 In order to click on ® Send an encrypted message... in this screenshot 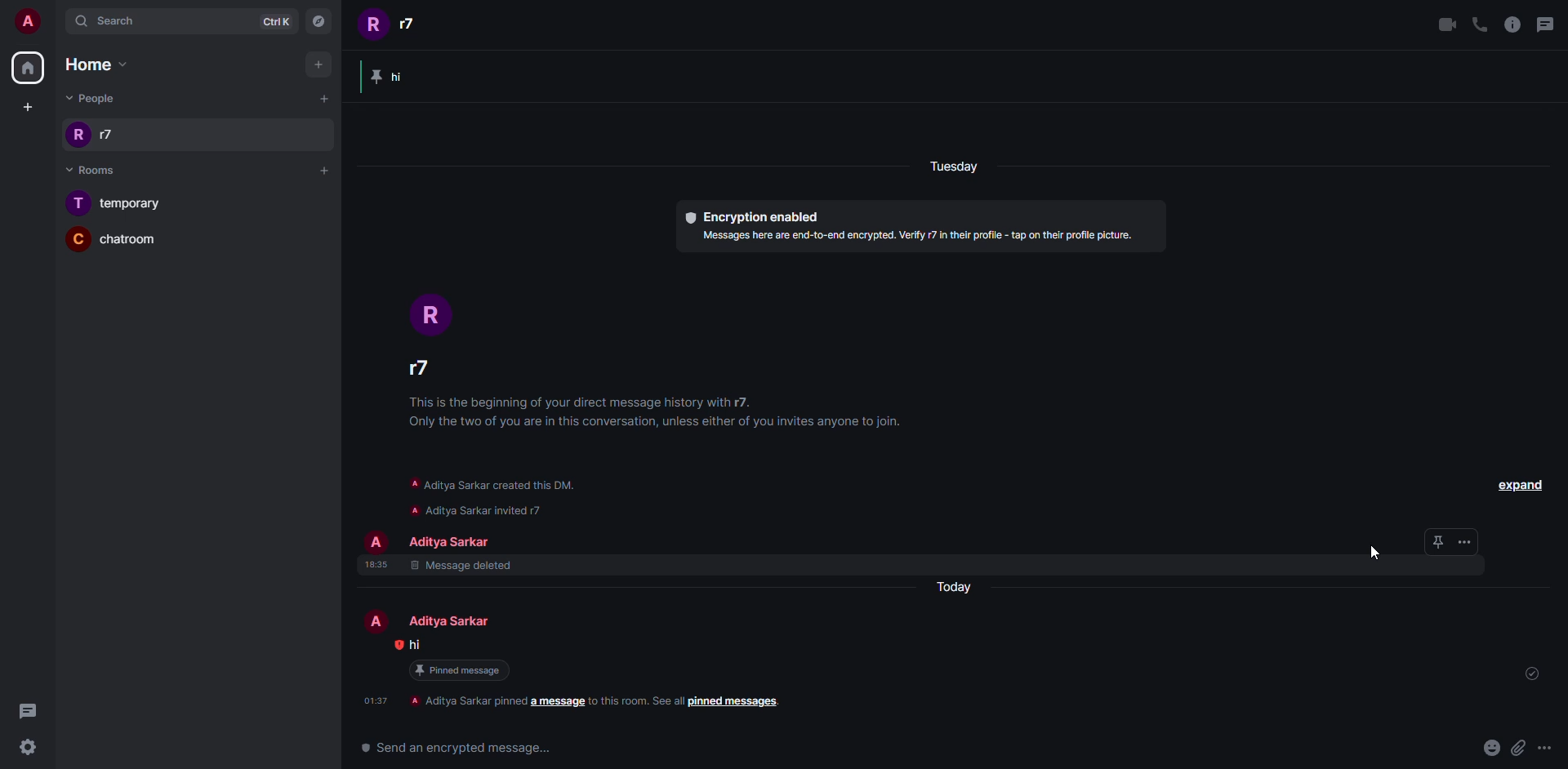, I will do `click(452, 747)`.